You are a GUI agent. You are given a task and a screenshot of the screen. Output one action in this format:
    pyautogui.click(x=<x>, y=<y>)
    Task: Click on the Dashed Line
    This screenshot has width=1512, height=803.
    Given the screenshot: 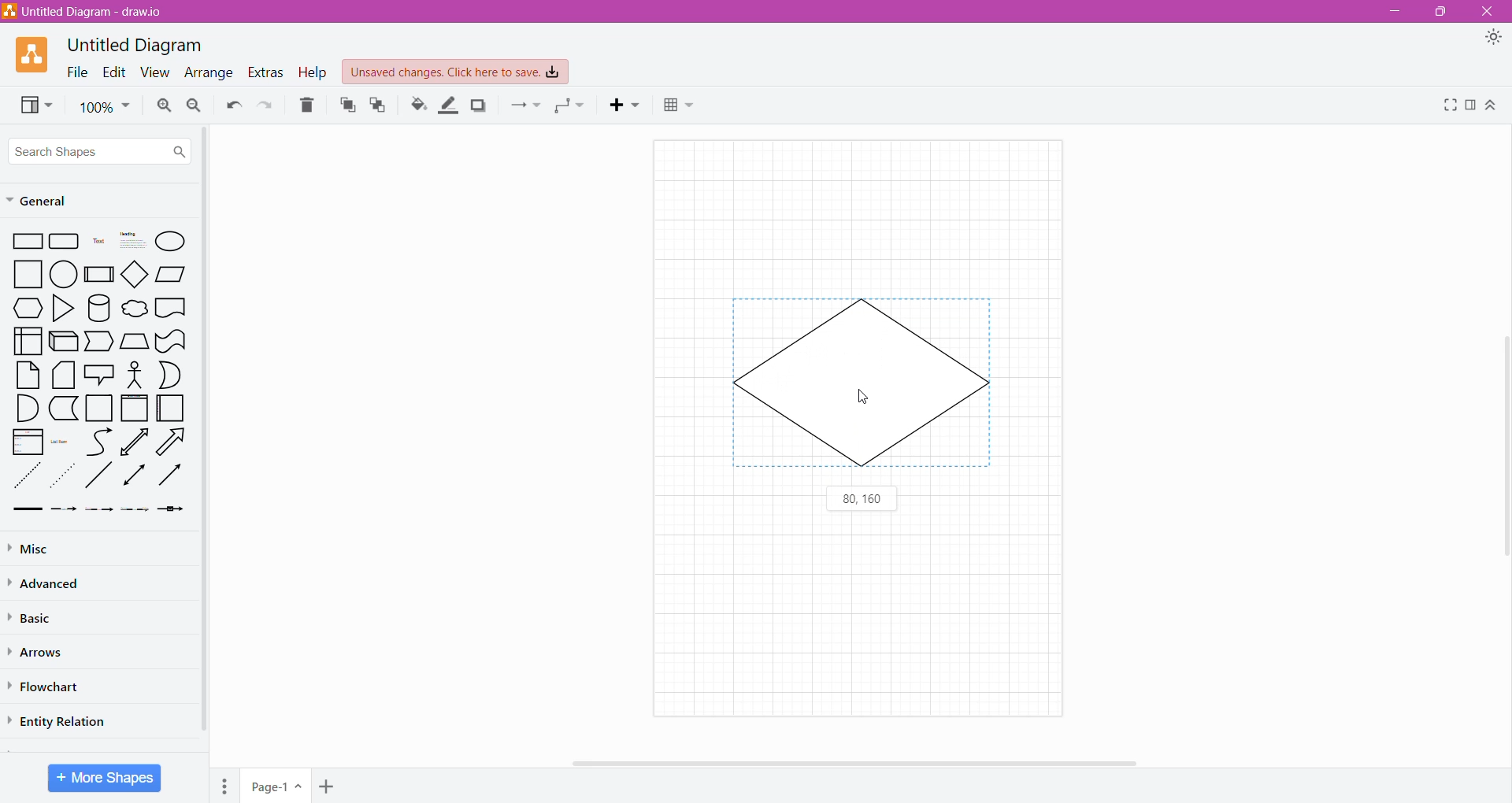 What is the action you would take?
    pyautogui.click(x=28, y=479)
    